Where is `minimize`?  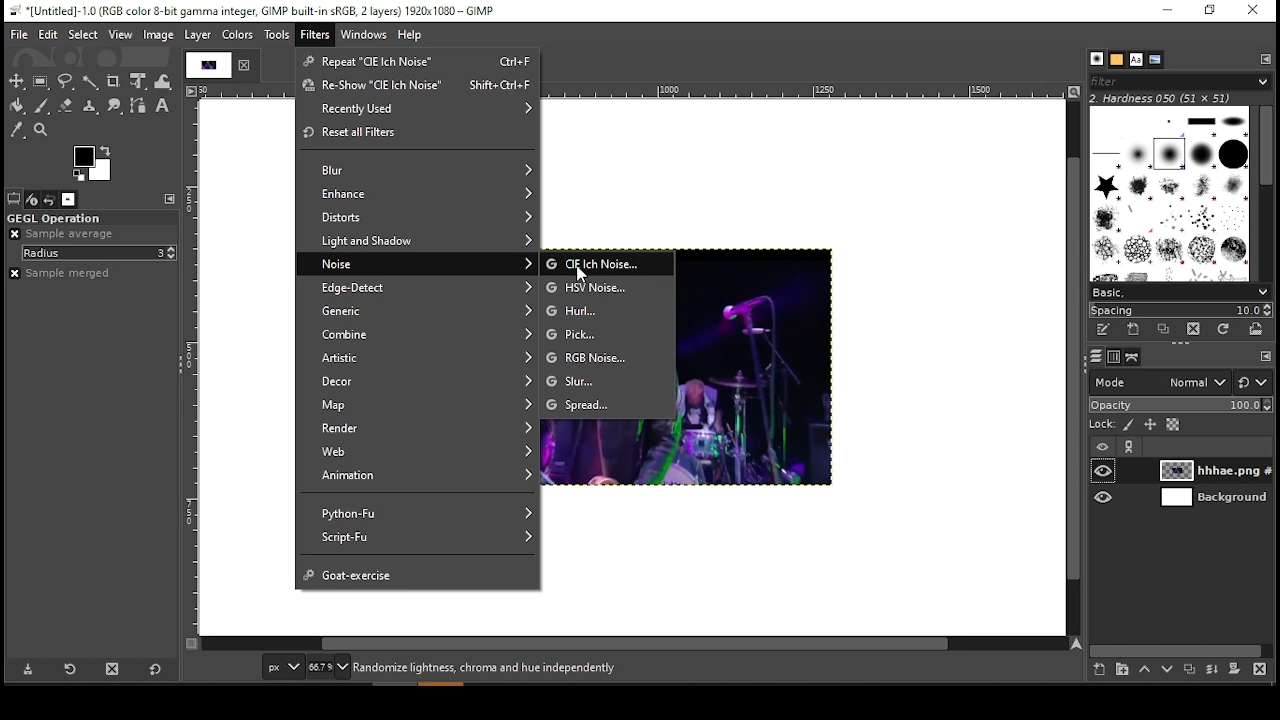 minimize is located at coordinates (1168, 12).